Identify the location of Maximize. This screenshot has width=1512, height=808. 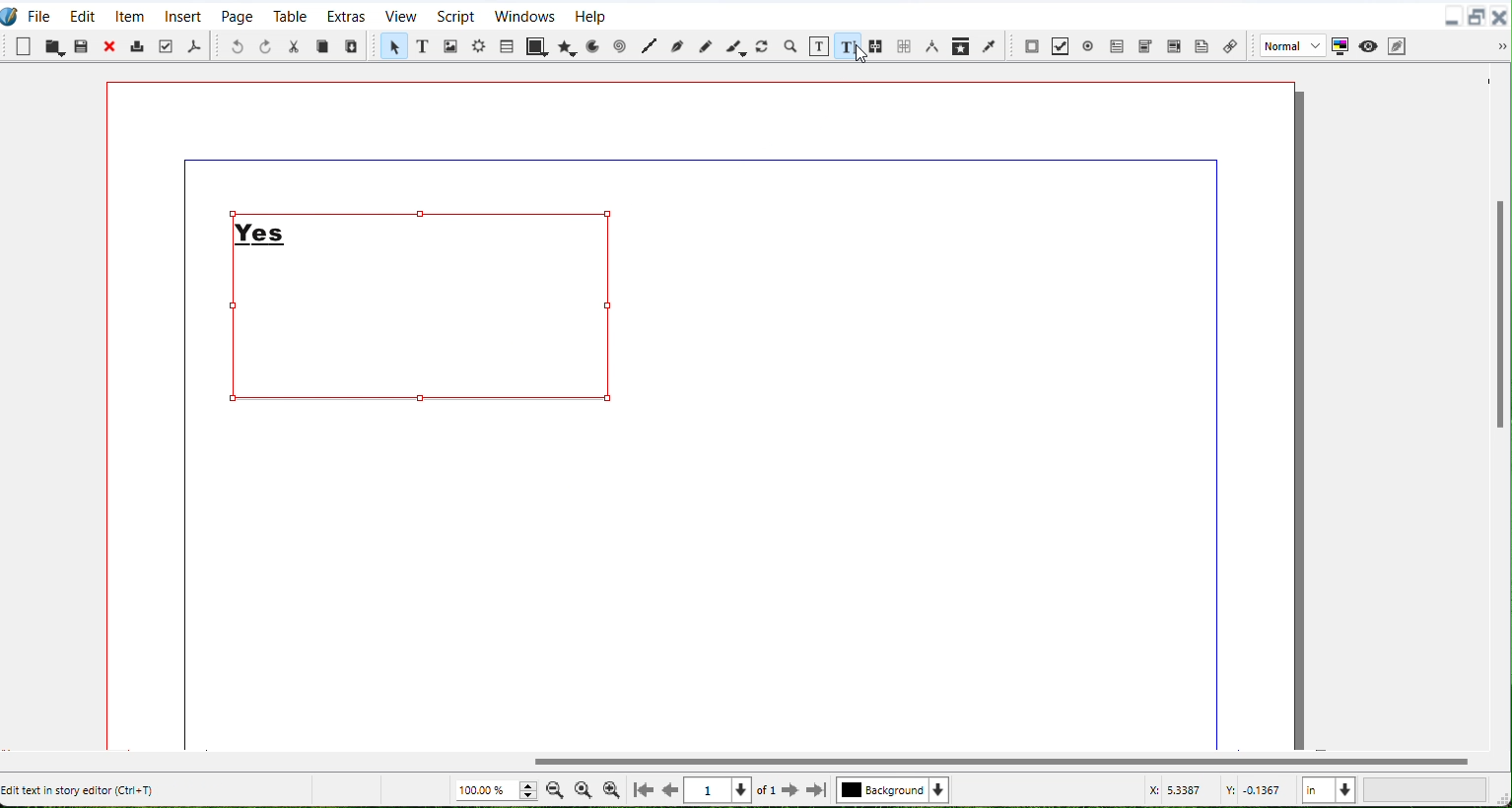
(1478, 16).